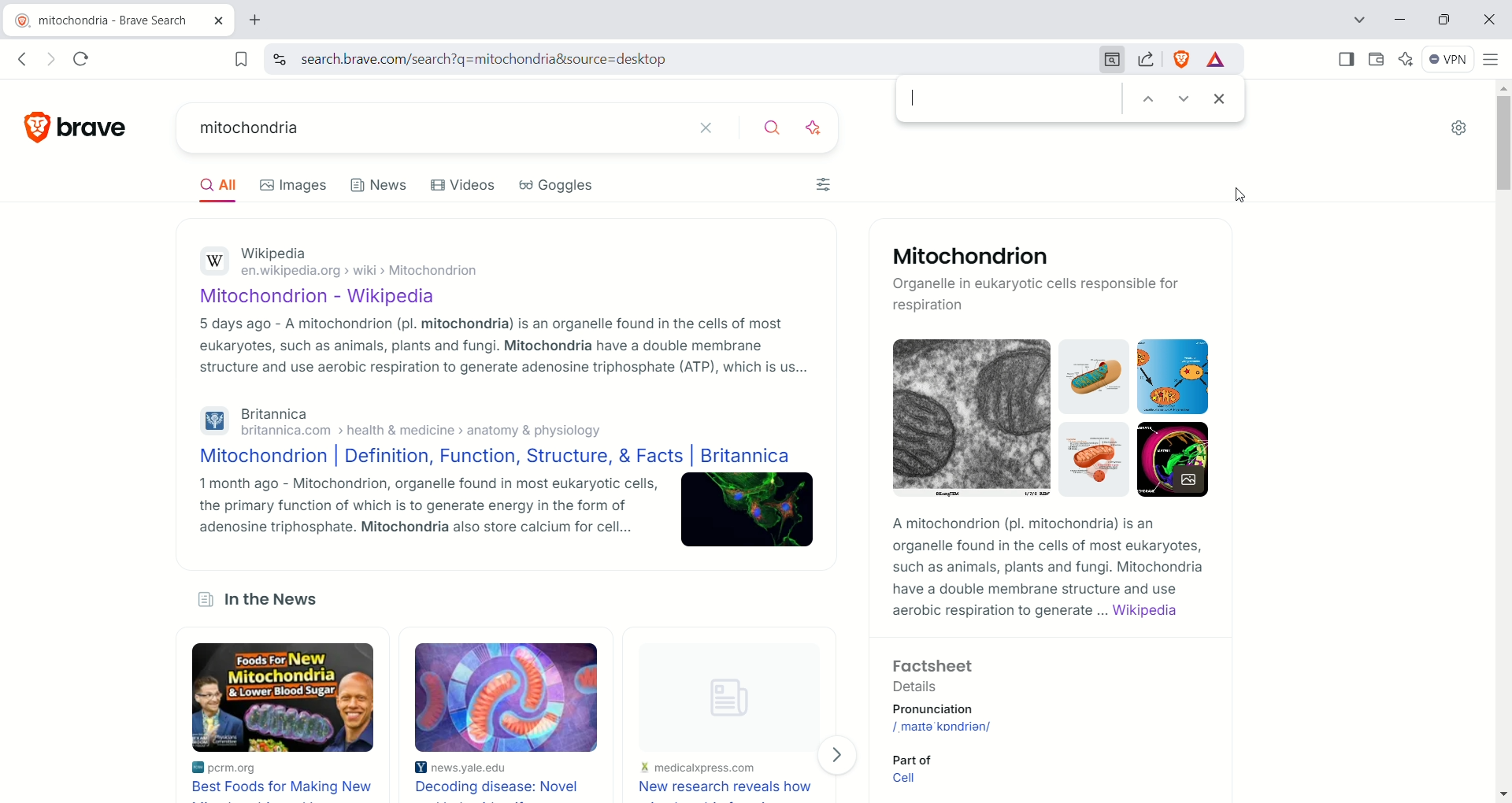 This screenshot has width=1512, height=803. Describe the element at coordinates (1149, 101) in the screenshot. I see `previous` at that location.